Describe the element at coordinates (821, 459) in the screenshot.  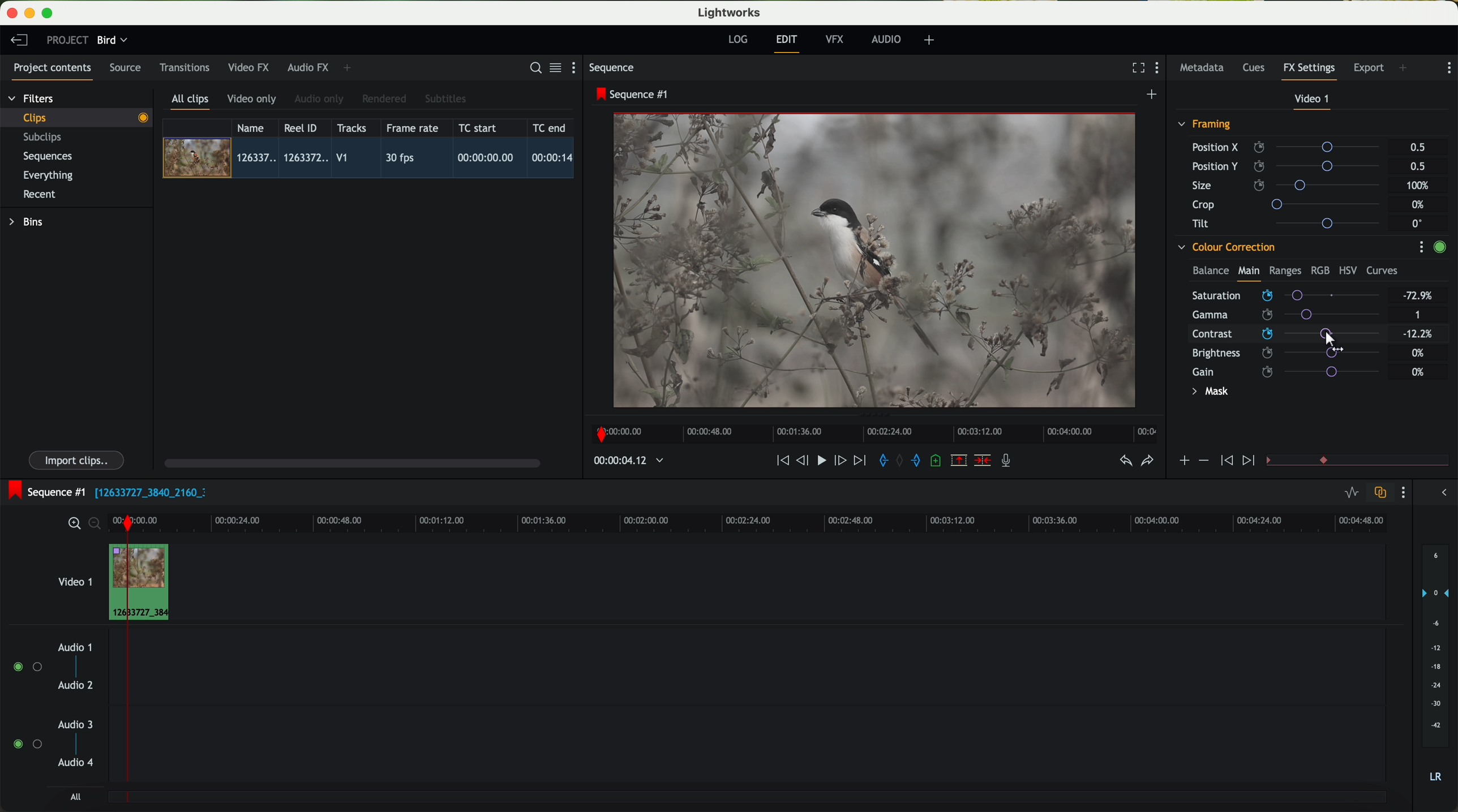
I see `play` at that location.